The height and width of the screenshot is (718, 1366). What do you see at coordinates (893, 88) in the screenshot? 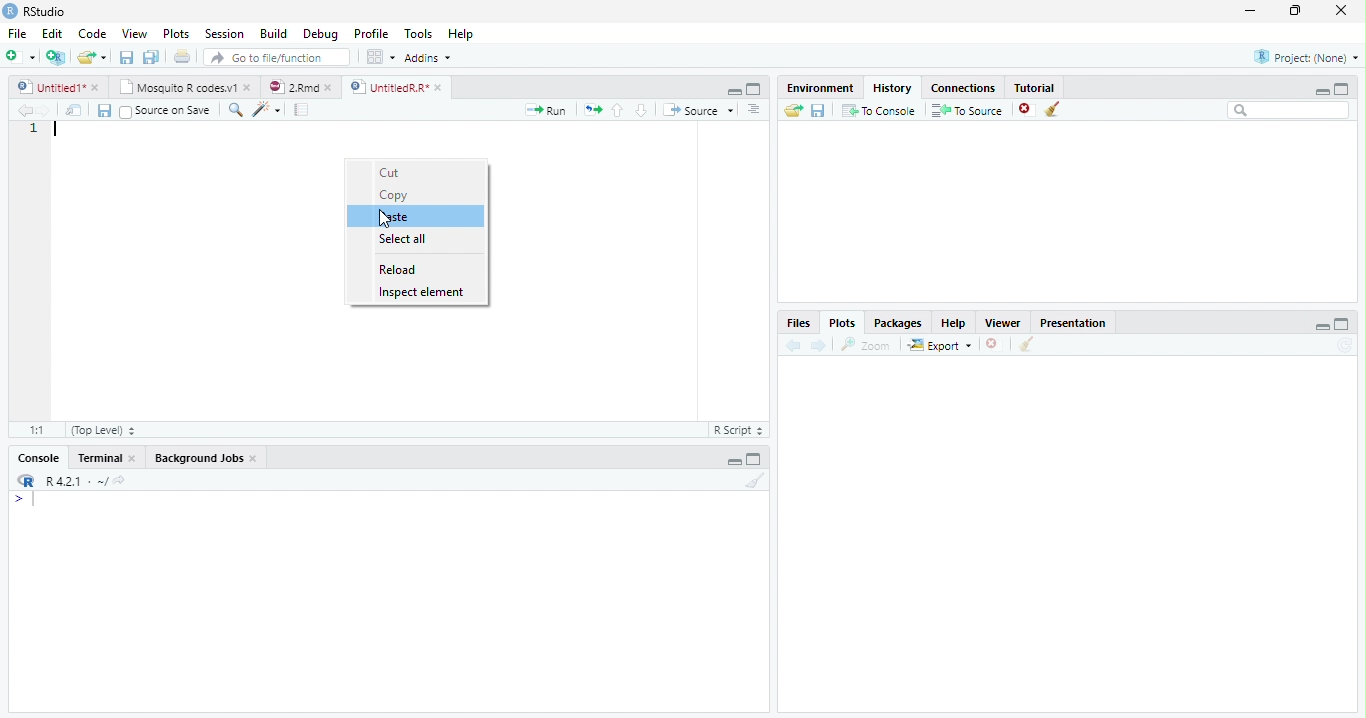
I see `History` at bounding box center [893, 88].